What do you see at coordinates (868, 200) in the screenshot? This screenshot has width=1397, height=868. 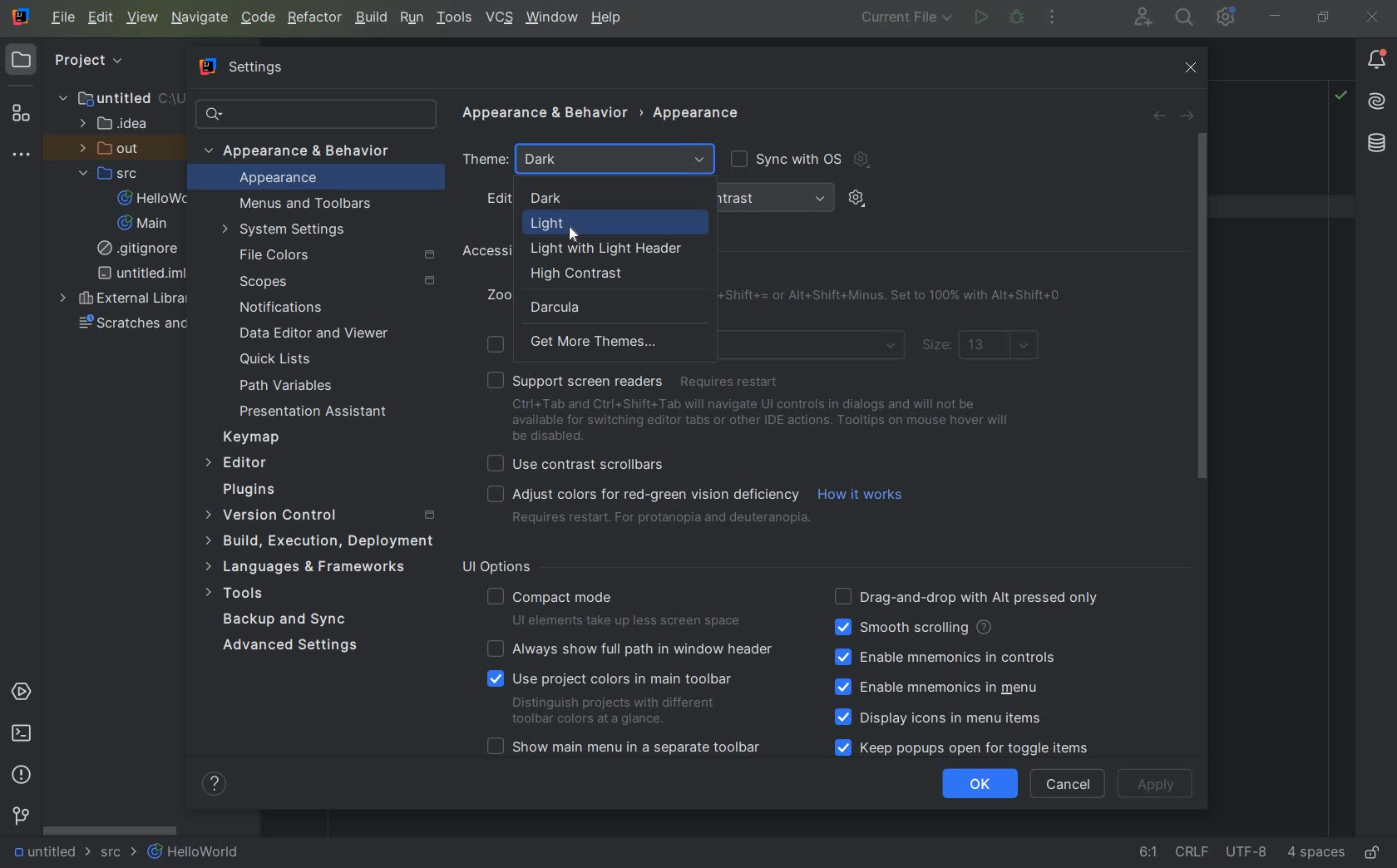 I see `Shown scheme options` at bounding box center [868, 200].